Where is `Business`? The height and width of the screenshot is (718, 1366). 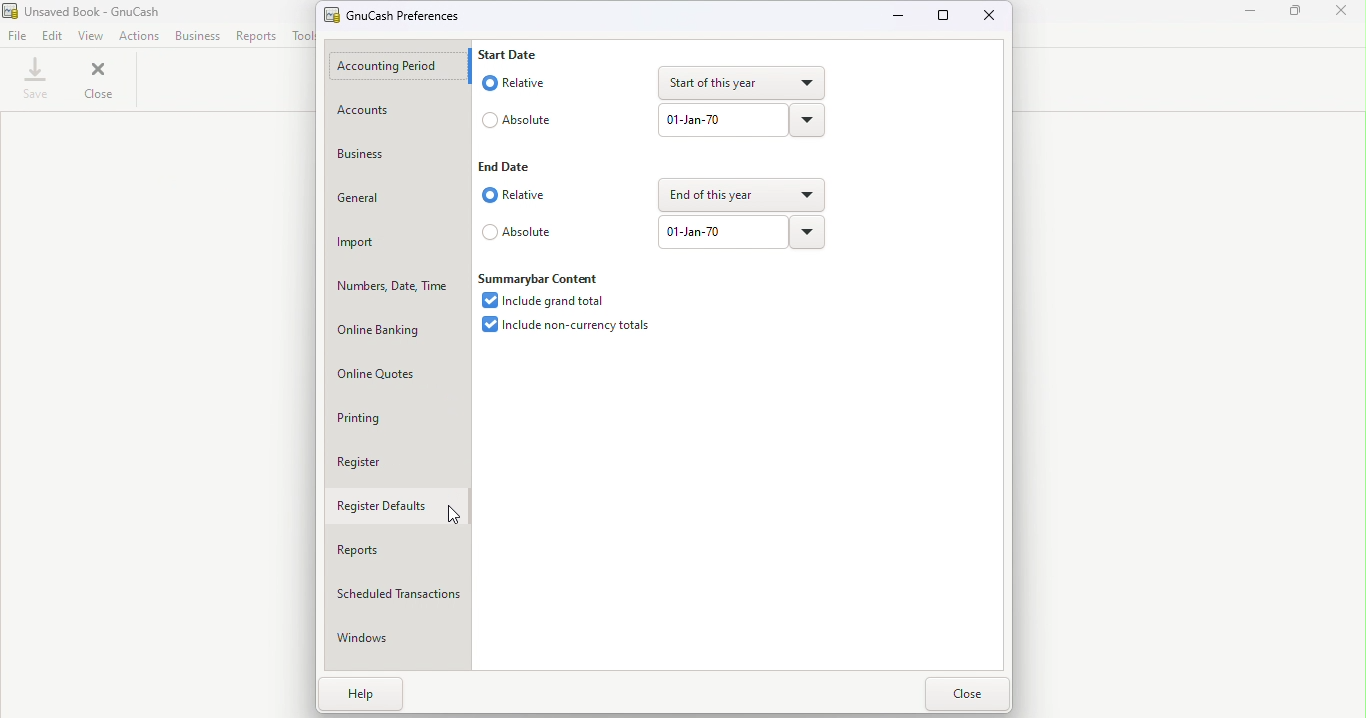 Business is located at coordinates (196, 38).